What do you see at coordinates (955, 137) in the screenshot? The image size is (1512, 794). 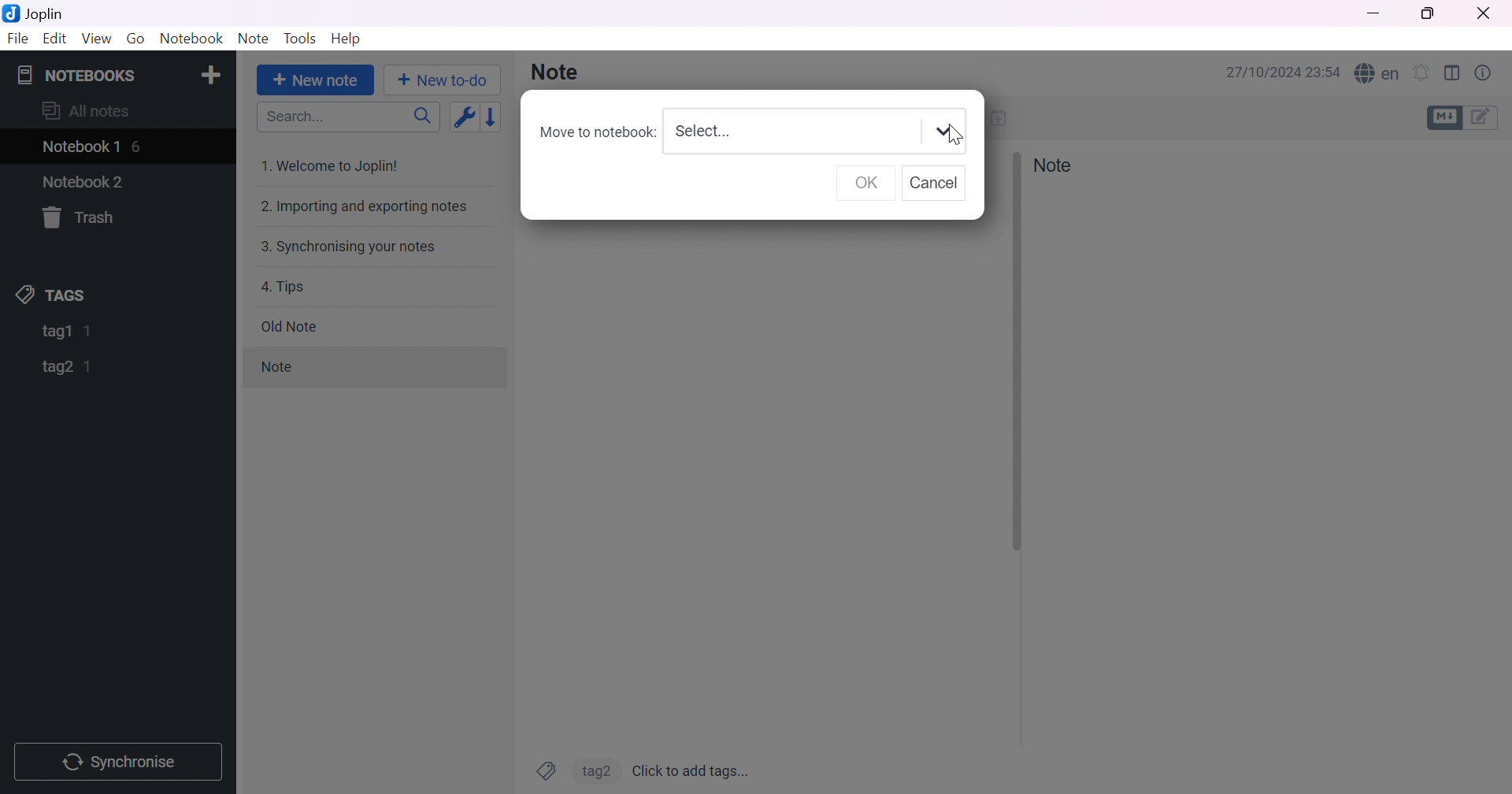 I see `` at bounding box center [955, 137].